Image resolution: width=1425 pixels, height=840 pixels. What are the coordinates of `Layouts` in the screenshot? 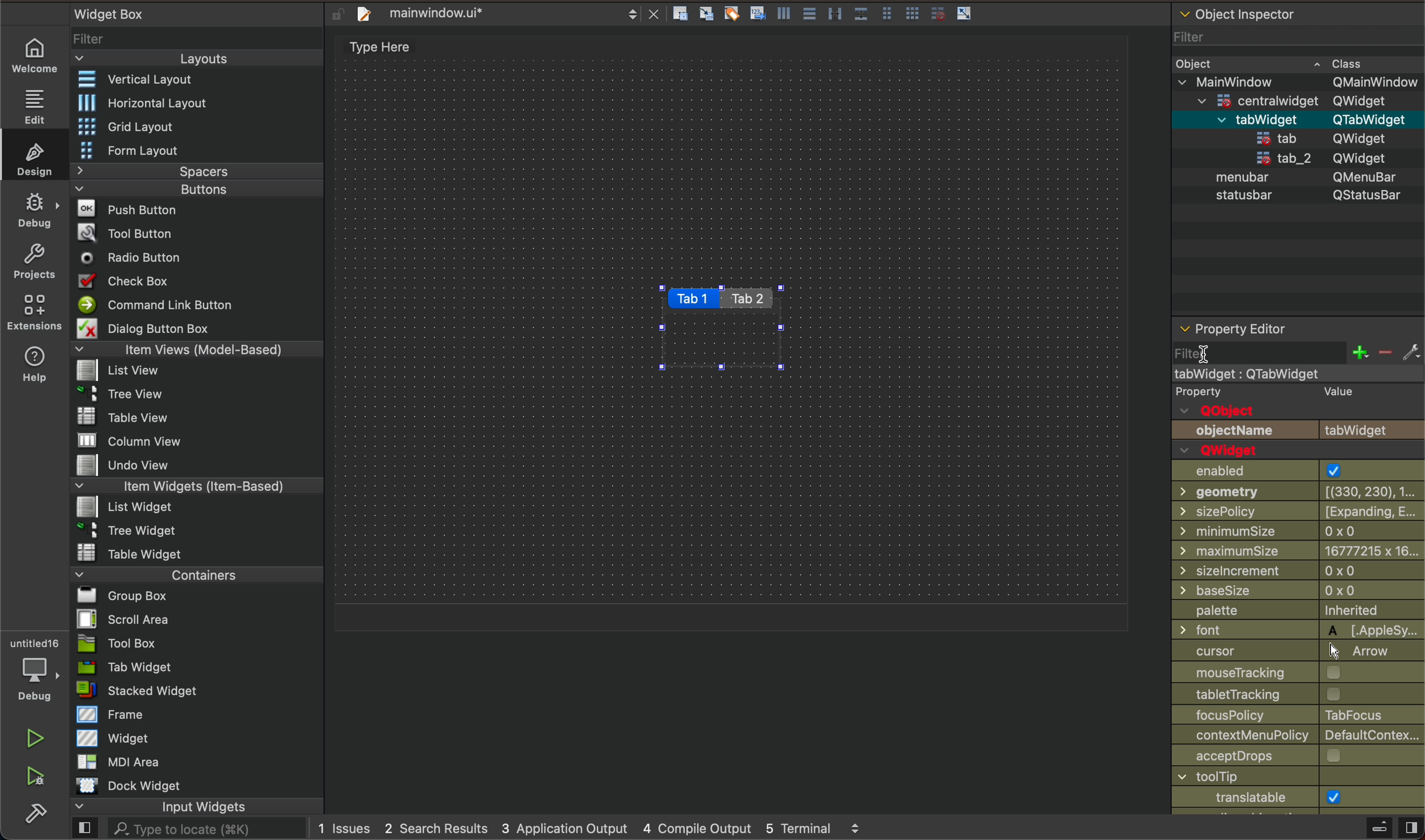 It's located at (198, 58).